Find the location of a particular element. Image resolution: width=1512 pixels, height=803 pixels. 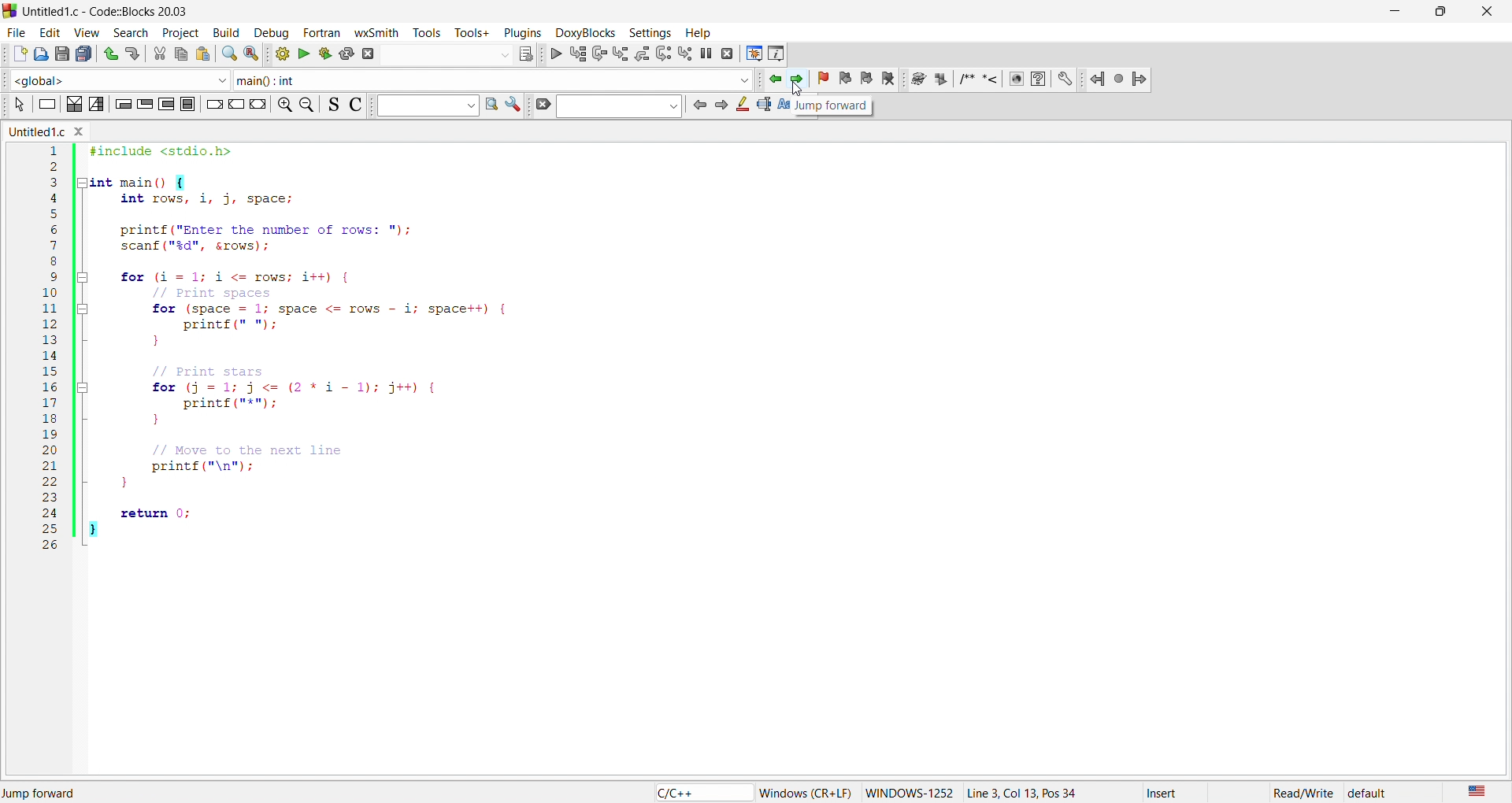

debug window is located at coordinates (753, 56).